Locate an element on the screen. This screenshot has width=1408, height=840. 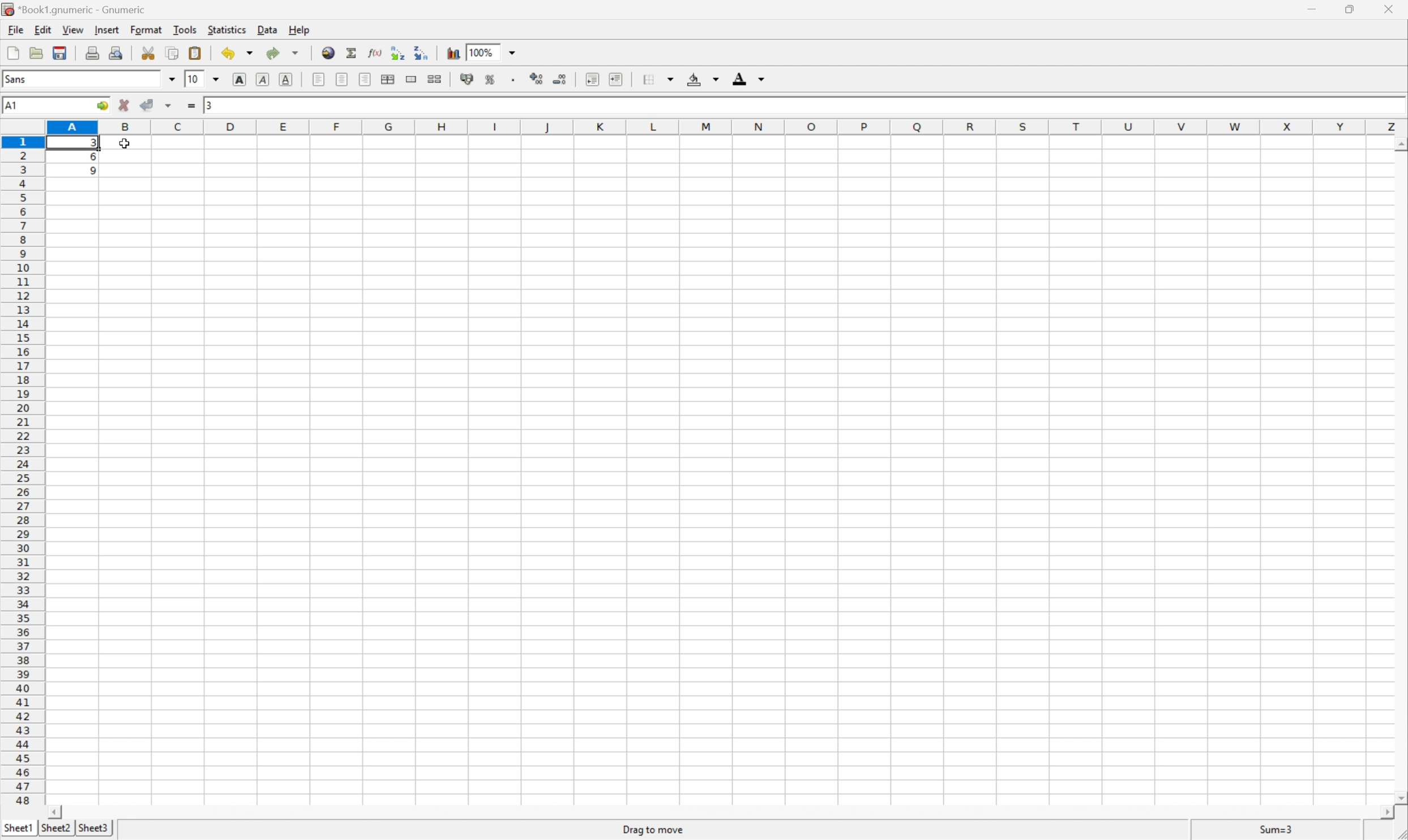
Underline is located at coordinates (287, 79).